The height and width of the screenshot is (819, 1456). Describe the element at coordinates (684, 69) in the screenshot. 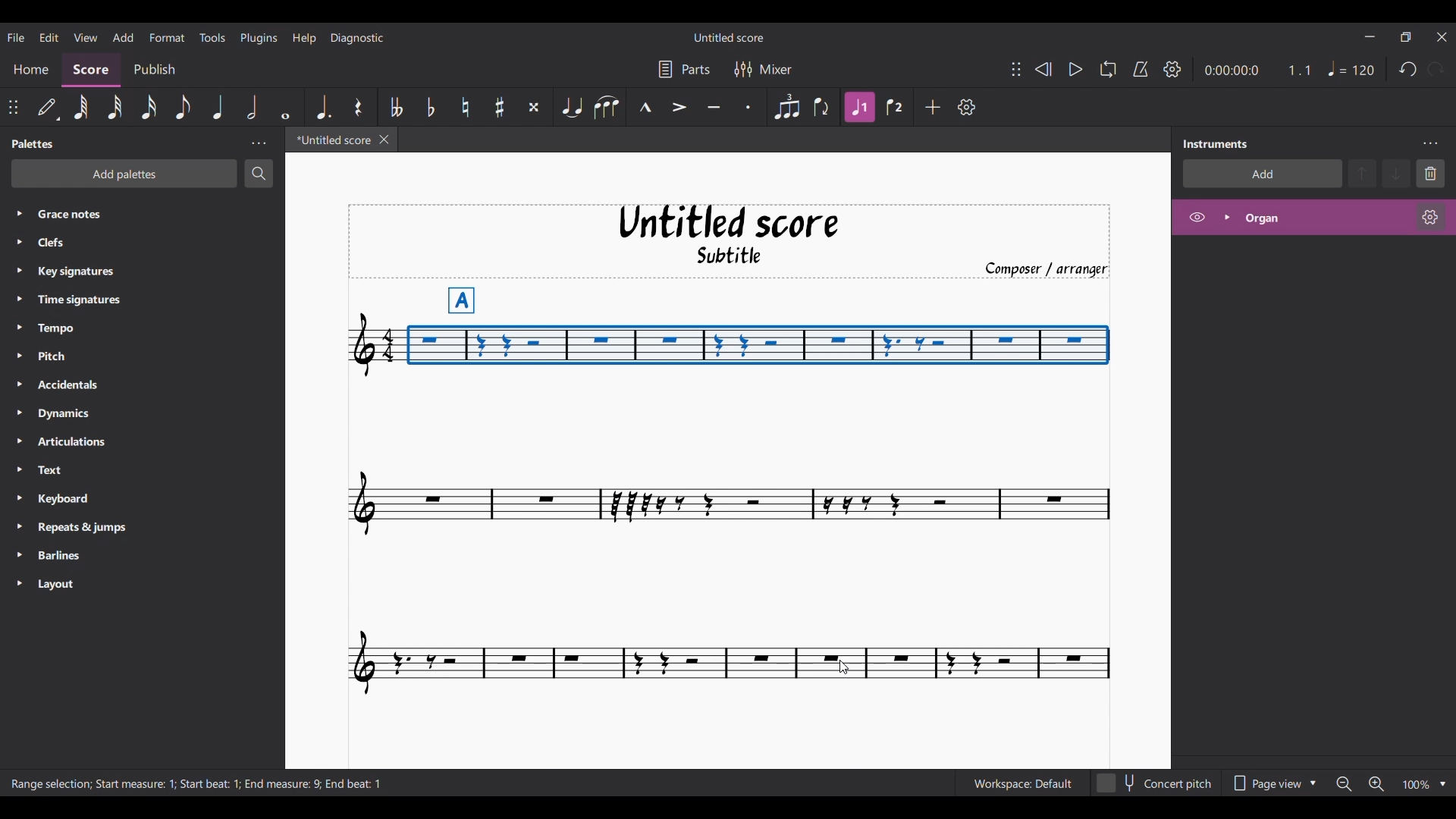

I see `Parts` at that location.